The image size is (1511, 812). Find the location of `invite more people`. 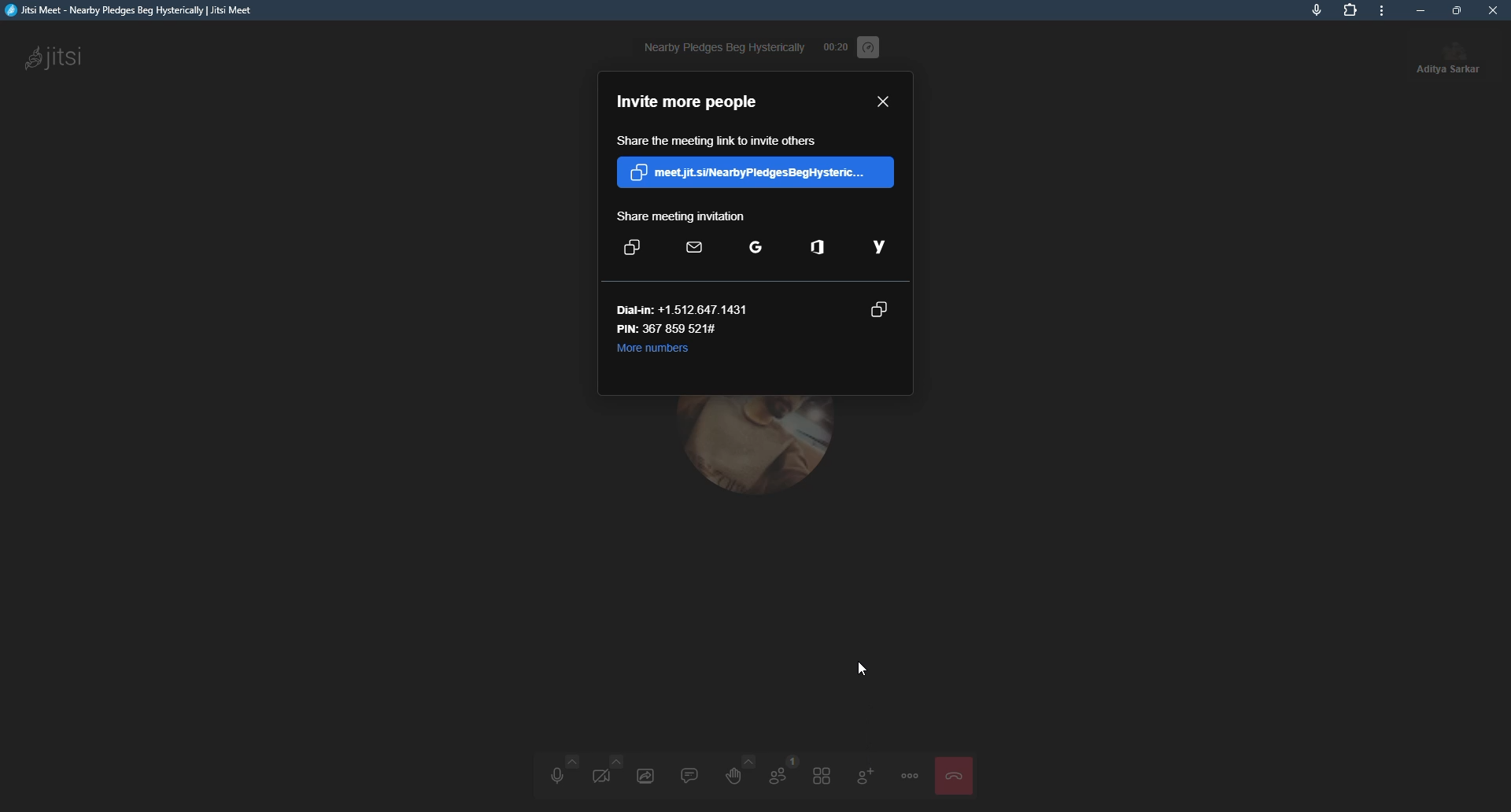

invite more people is located at coordinates (690, 101).